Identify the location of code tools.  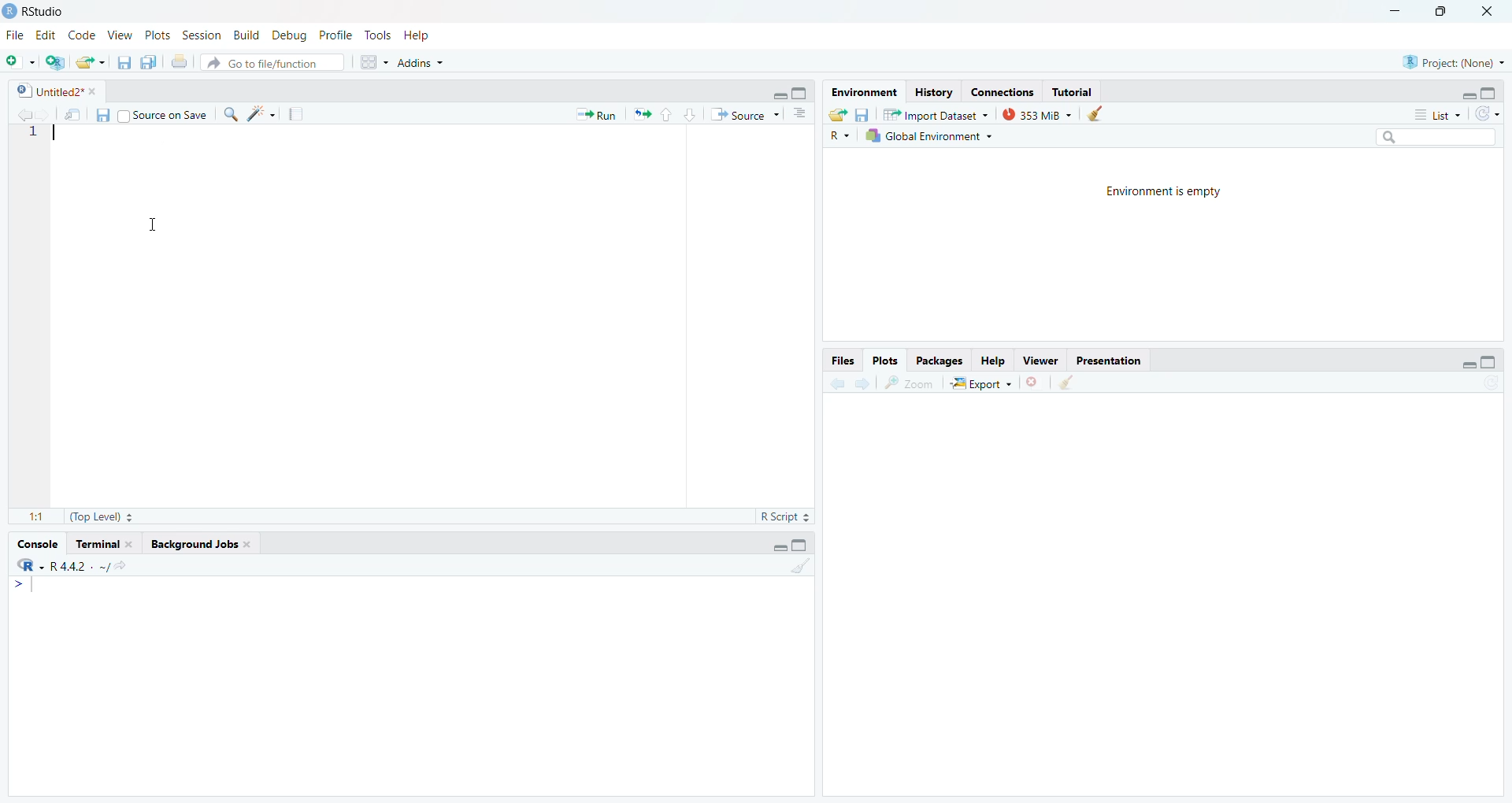
(263, 115).